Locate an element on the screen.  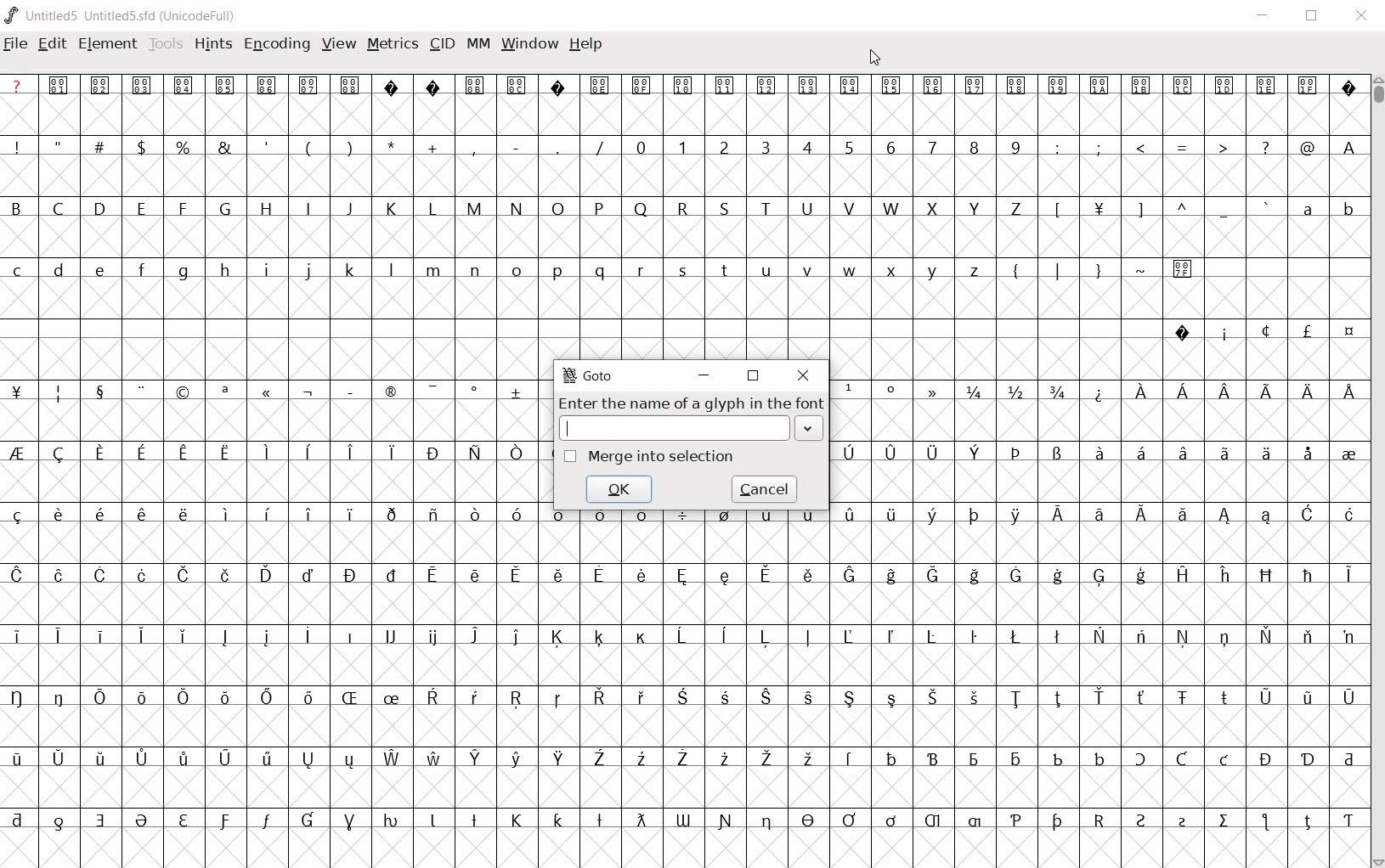
Symbol is located at coordinates (1347, 635).